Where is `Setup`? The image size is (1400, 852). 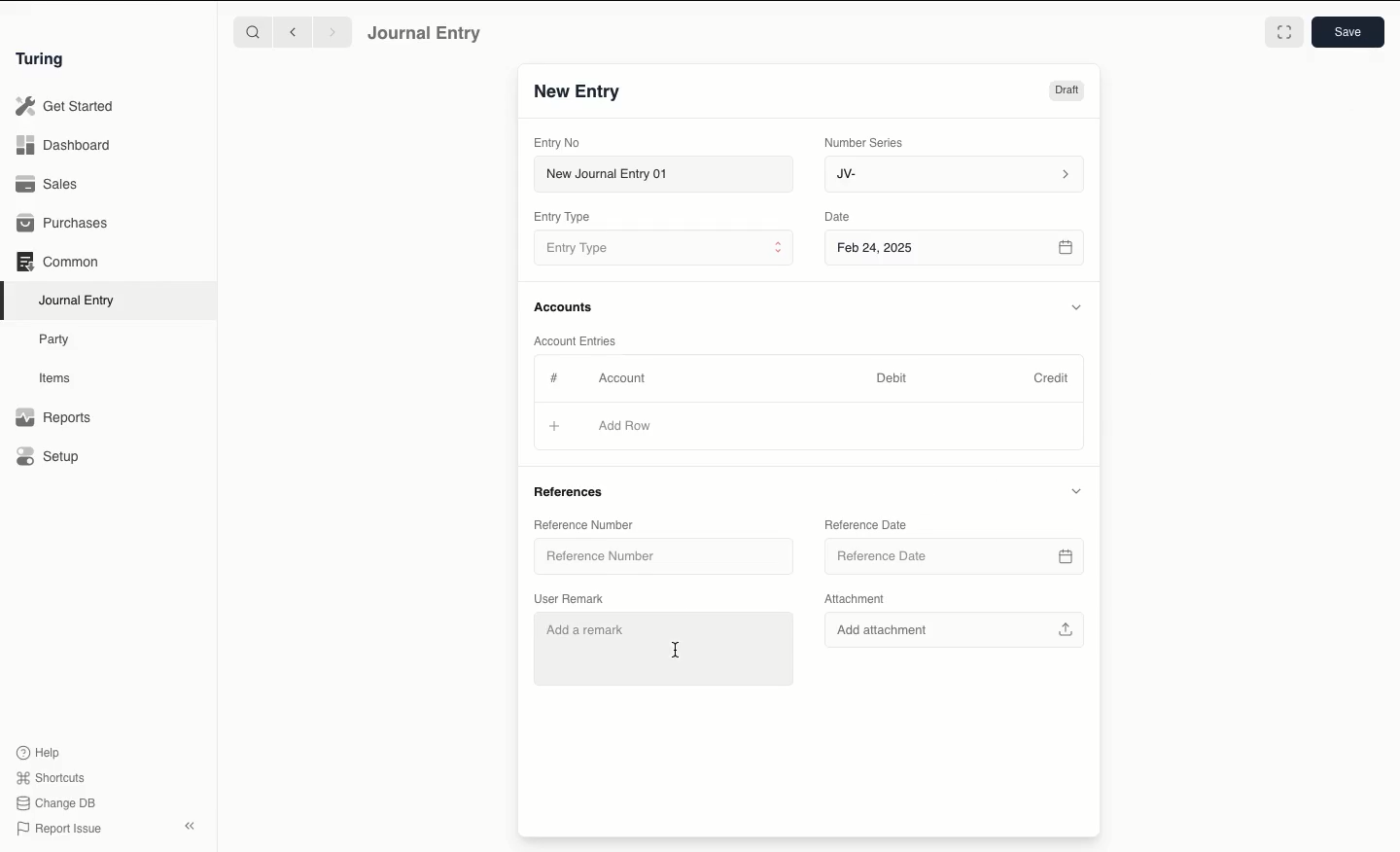
Setup is located at coordinates (49, 455).